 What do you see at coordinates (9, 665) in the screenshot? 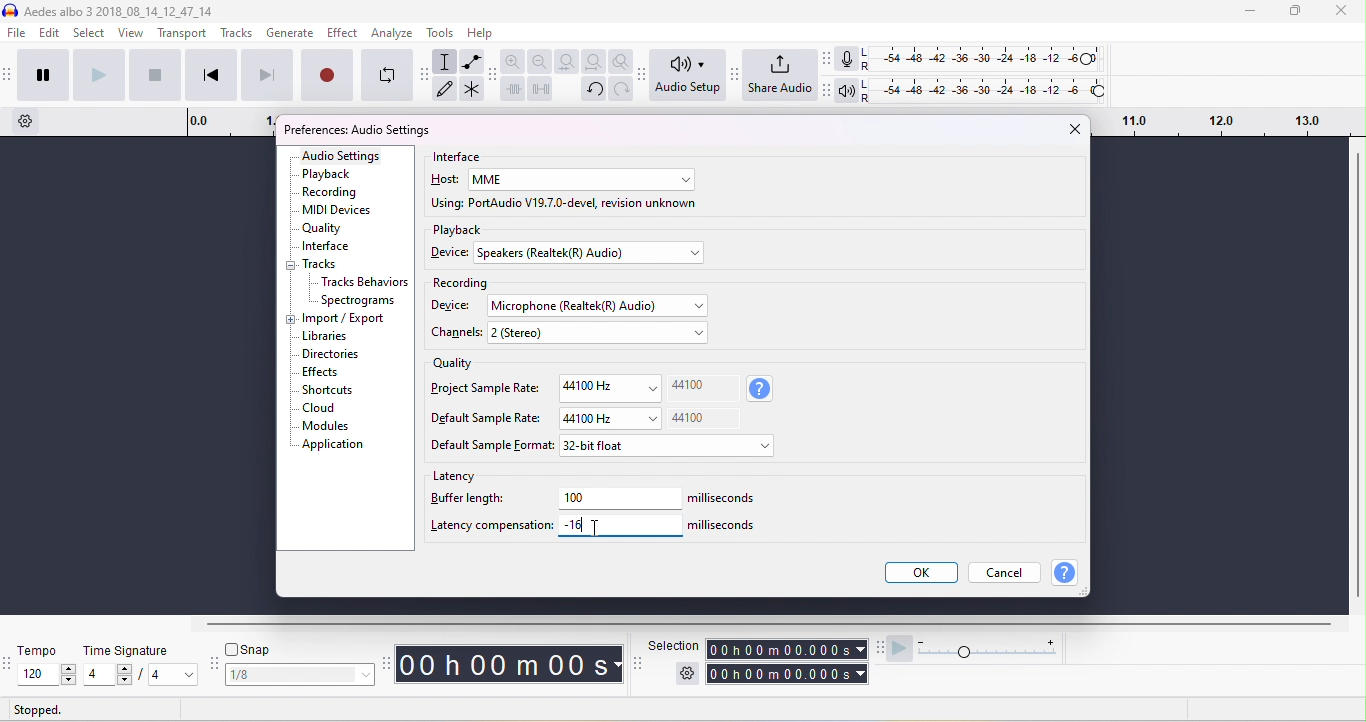
I see `audacity tempo toolbar` at bounding box center [9, 665].